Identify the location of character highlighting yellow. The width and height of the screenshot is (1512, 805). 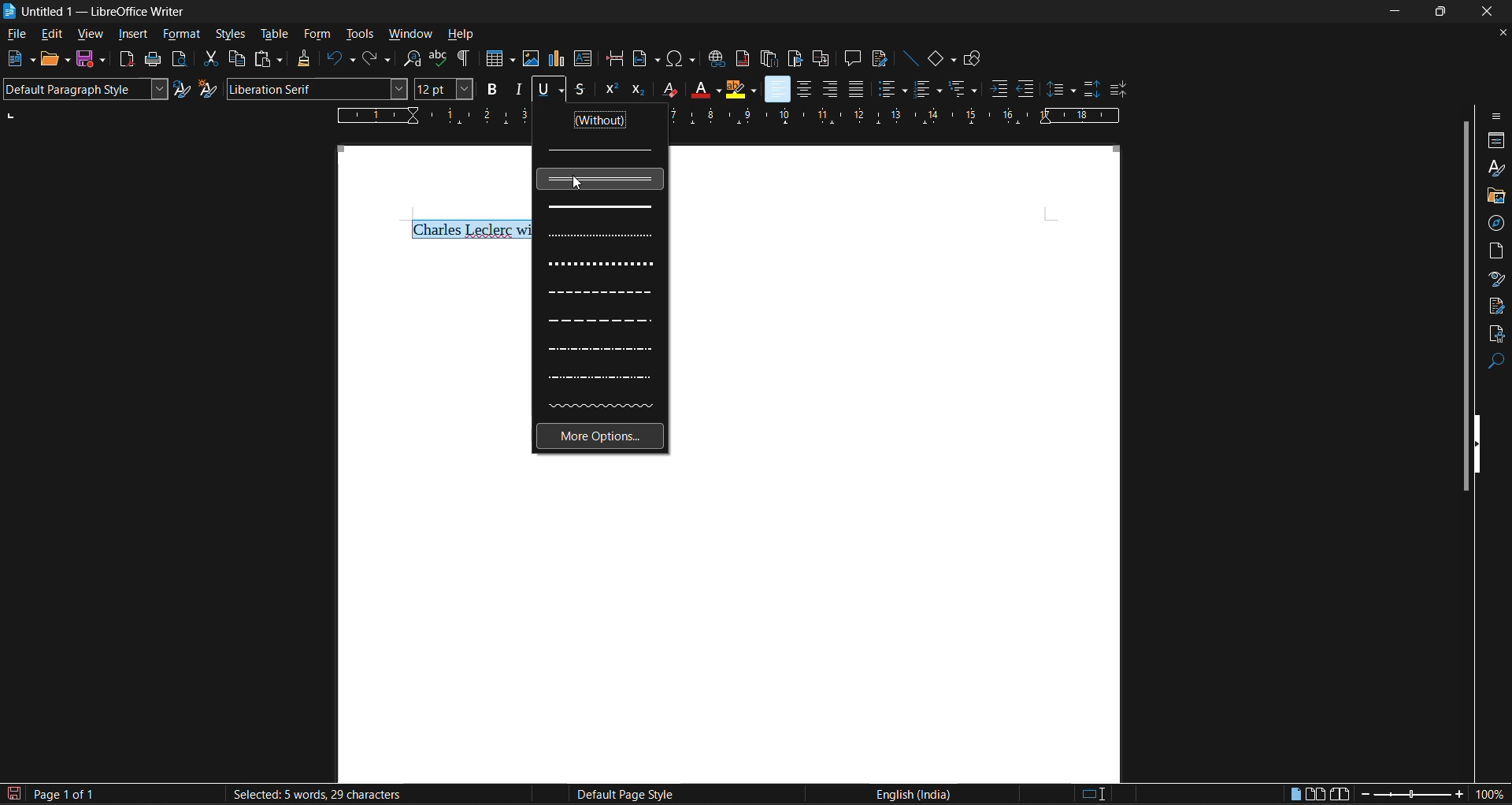
(741, 90).